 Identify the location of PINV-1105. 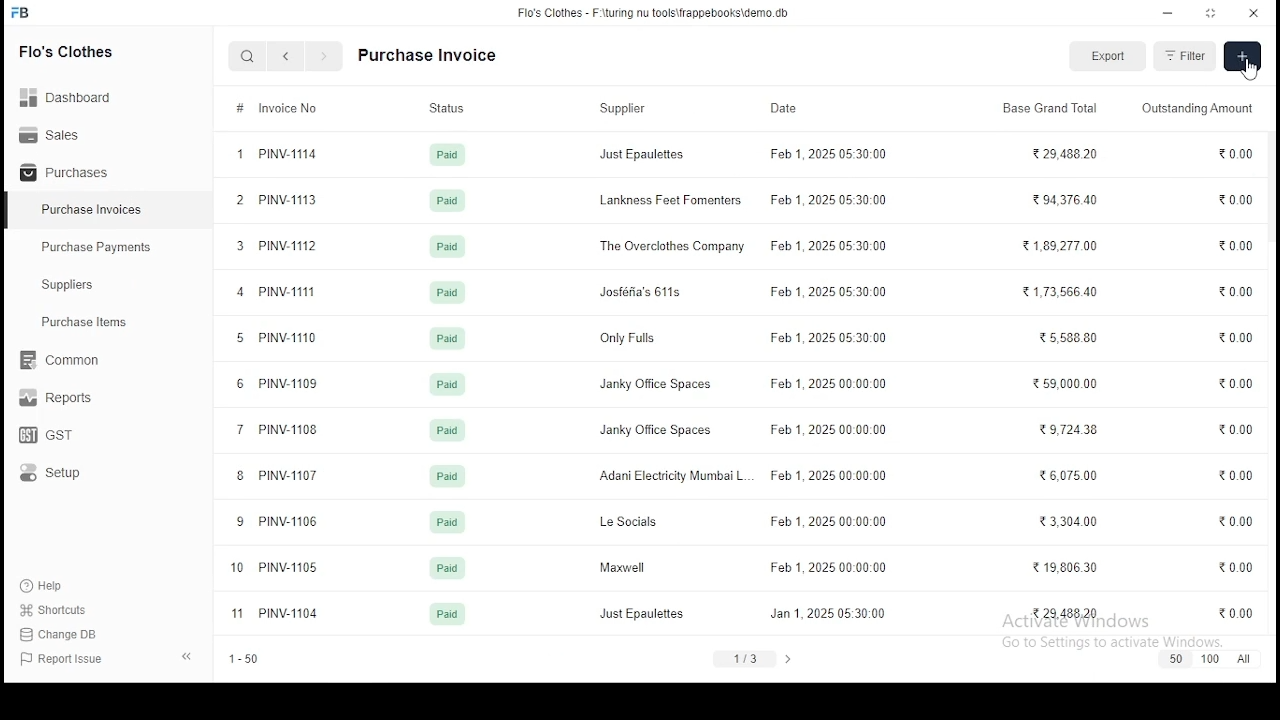
(293, 568).